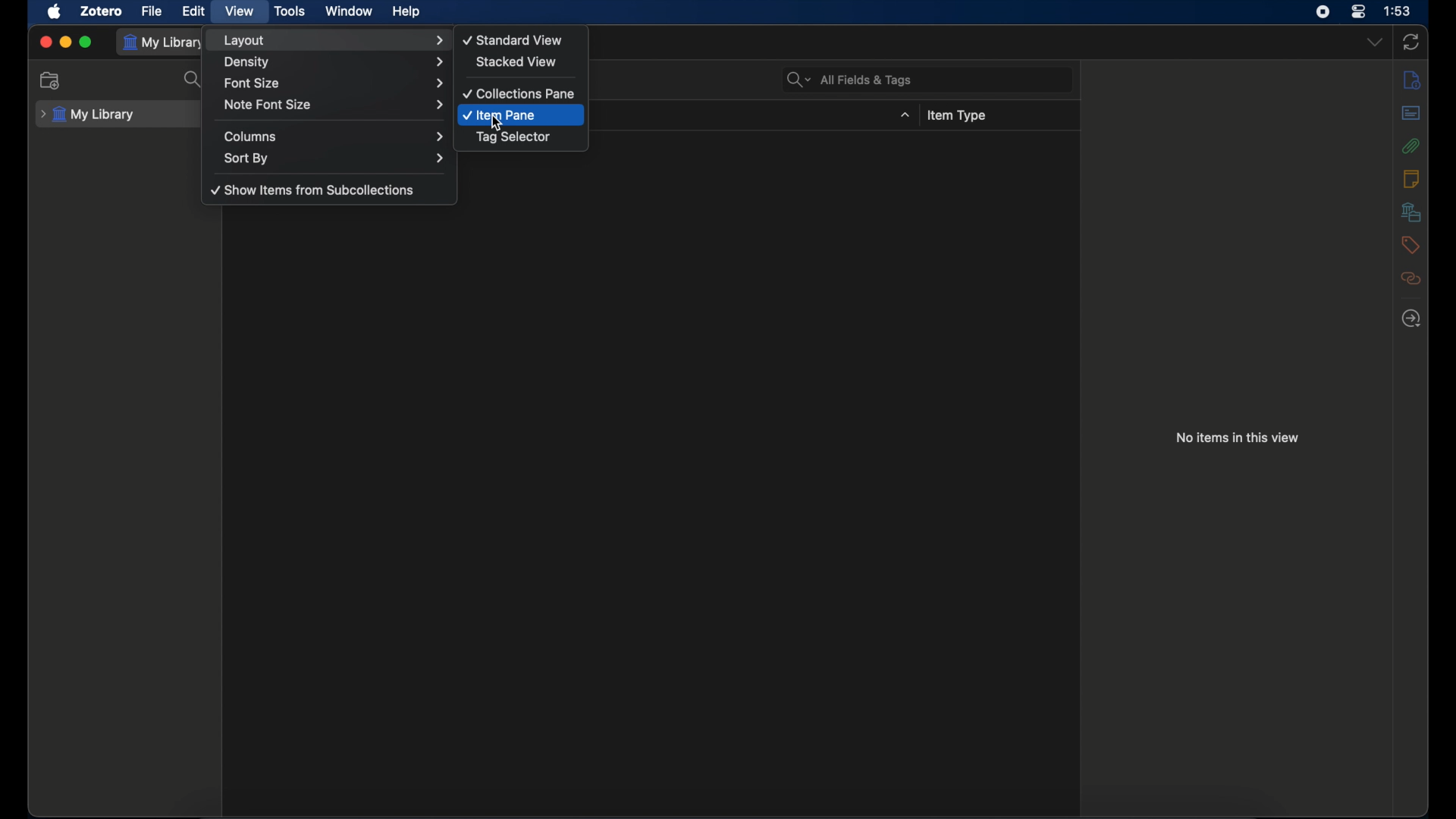 The width and height of the screenshot is (1456, 819). I want to click on control center, so click(1359, 11).